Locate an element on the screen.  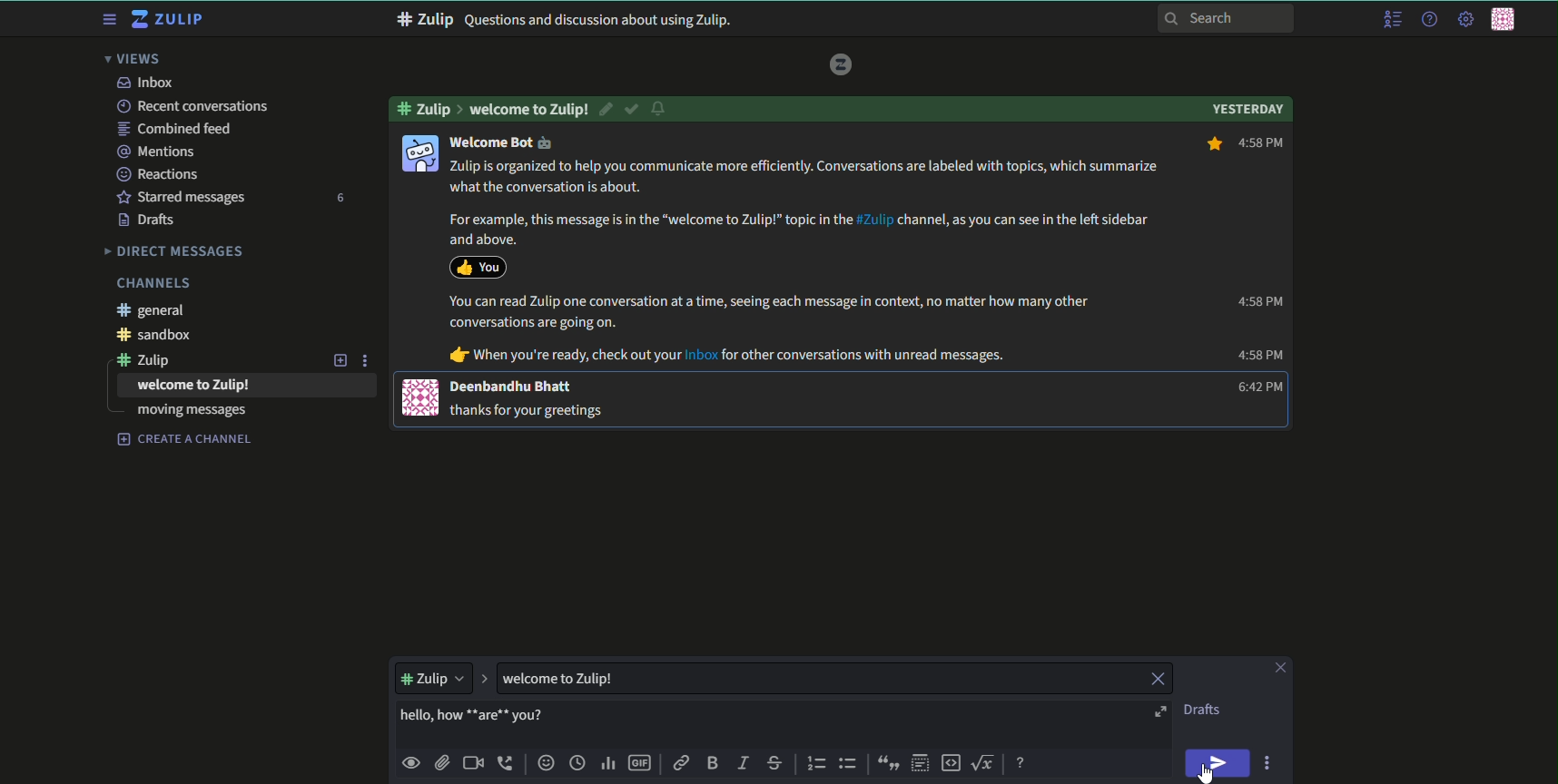
message formatting is located at coordinates (1022, 760).